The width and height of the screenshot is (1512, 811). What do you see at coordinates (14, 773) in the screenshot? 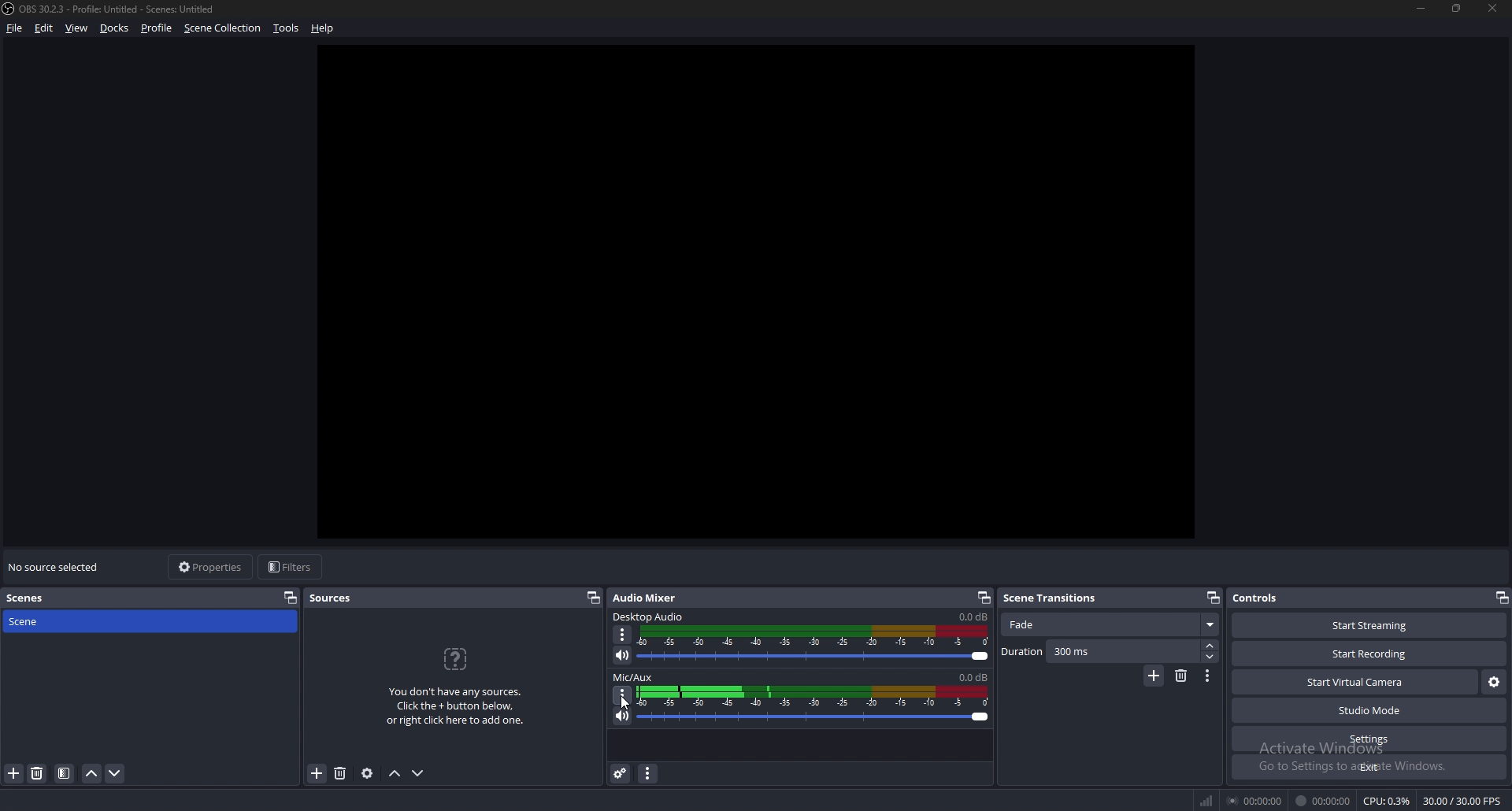
I see `add scene` at bounding box center [14, 773].